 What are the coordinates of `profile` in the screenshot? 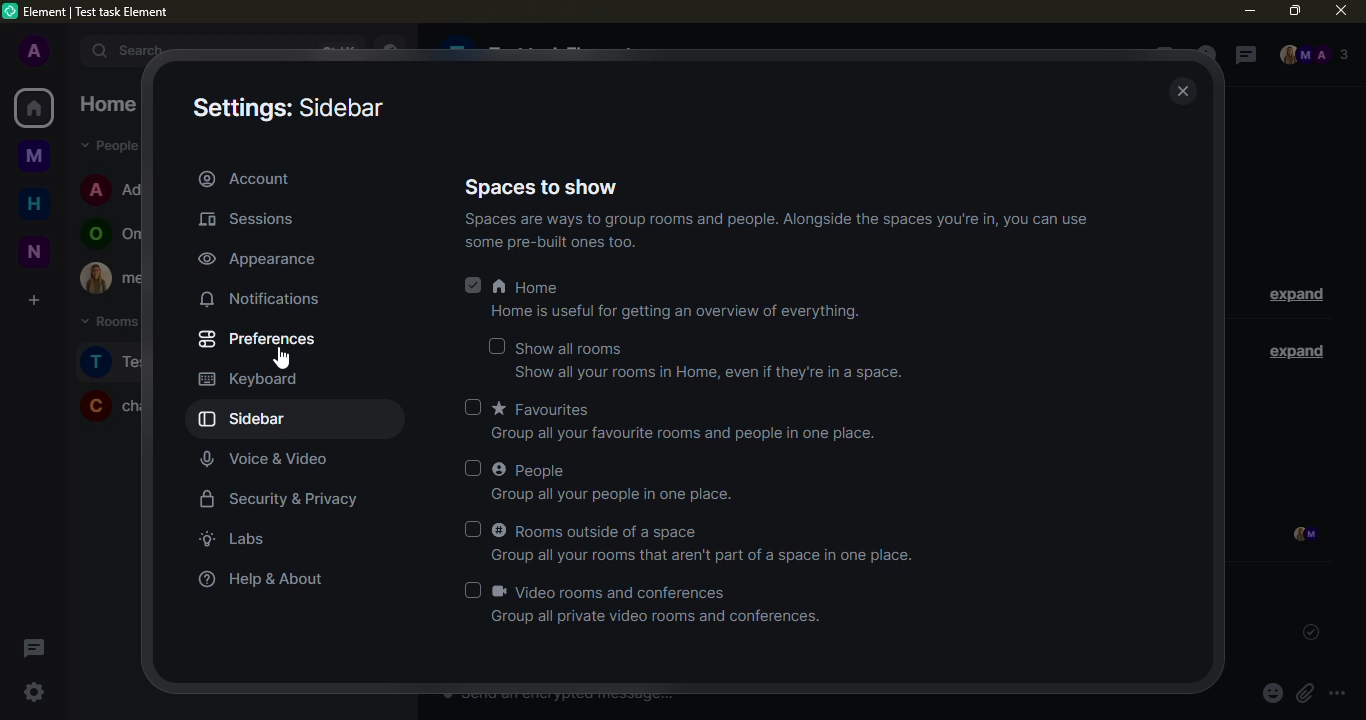 It's located at (33, 52).